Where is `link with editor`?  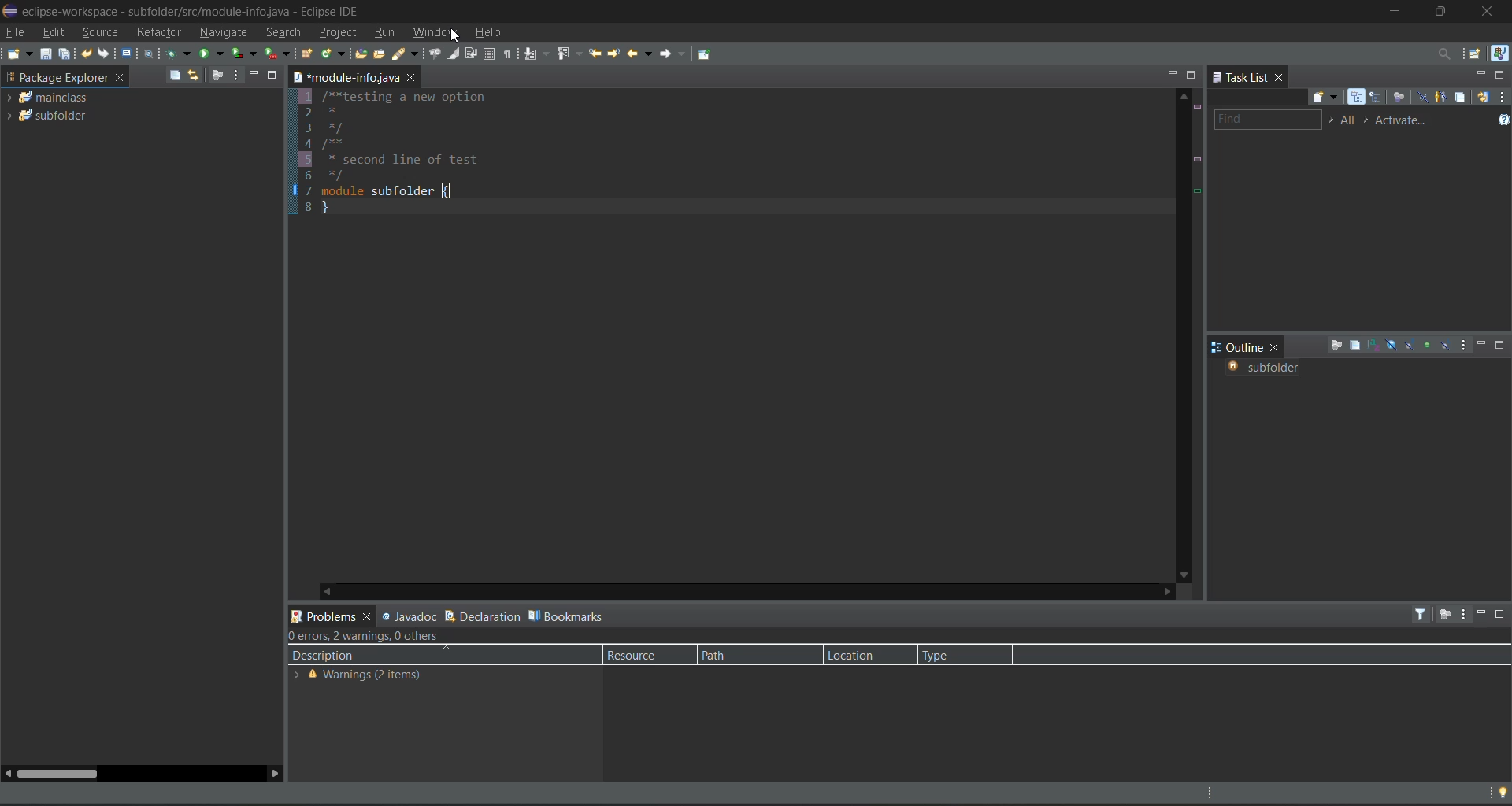 link with editor is located at coordinates (194, 76).